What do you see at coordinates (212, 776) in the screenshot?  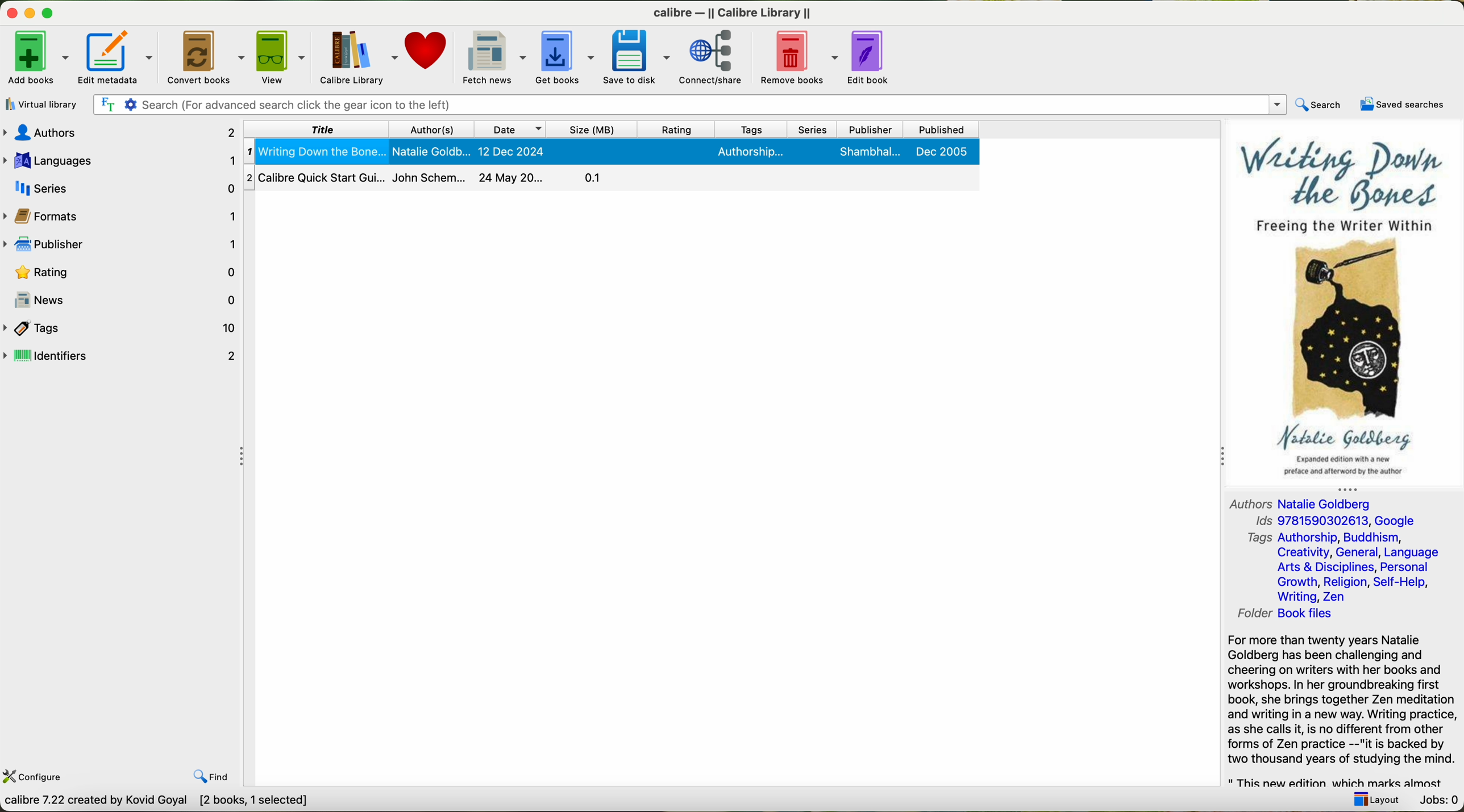 I see `find` at bounding box center [212, 776].